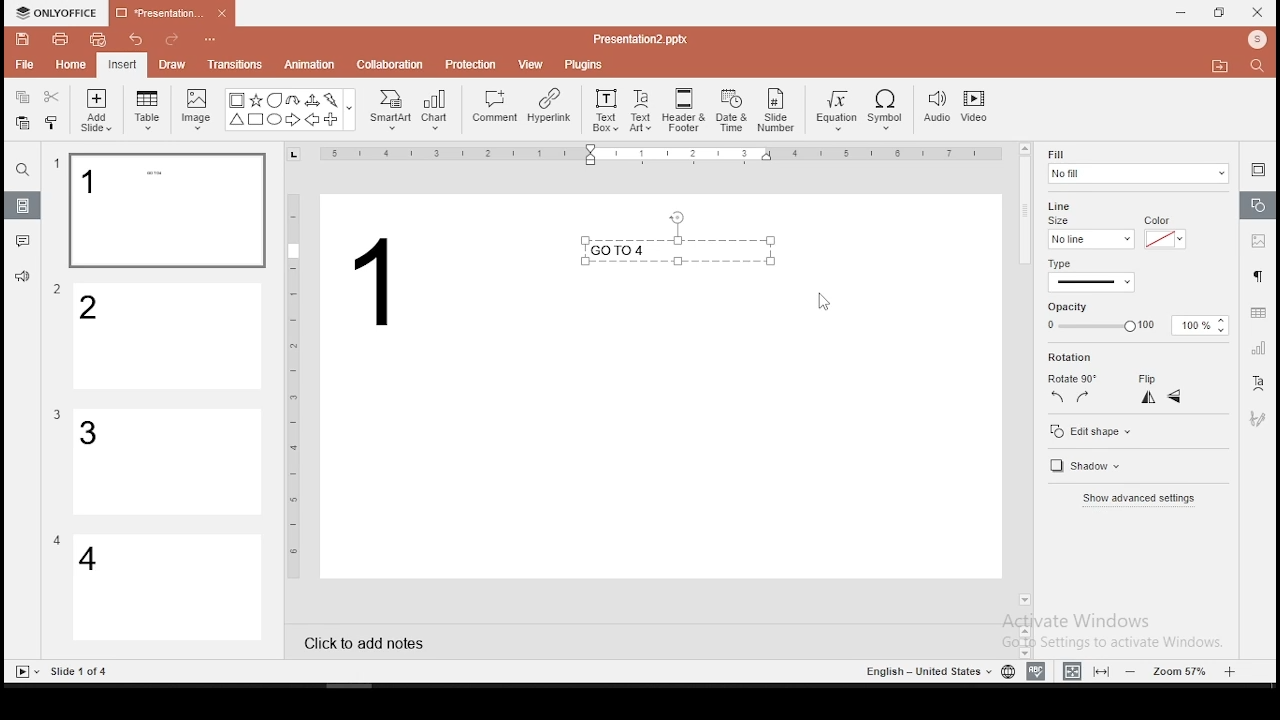 Image resolution: width=1280 pixels, height=720 pixels. Describe the element at coordinates (471, 63) in the screenshot. I see `protection` at that location.